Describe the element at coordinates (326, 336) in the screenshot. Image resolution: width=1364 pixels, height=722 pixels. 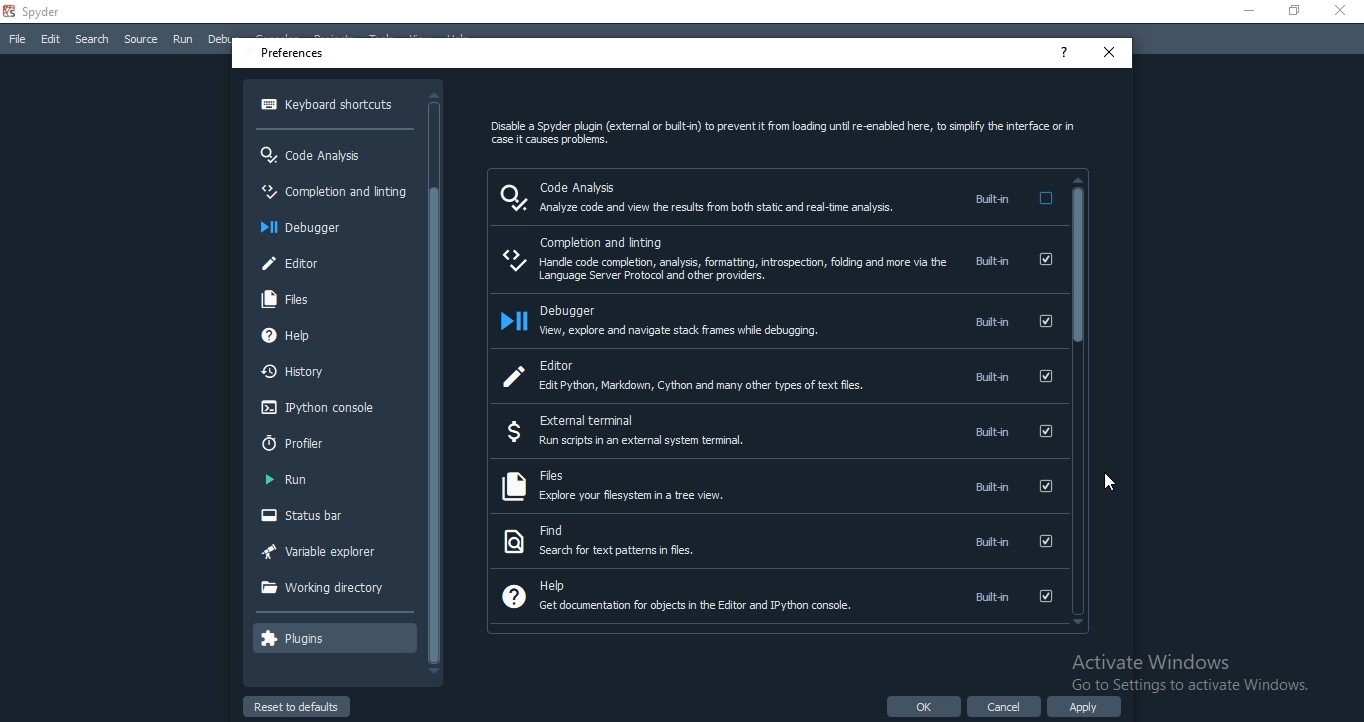
I see `help` at that location.